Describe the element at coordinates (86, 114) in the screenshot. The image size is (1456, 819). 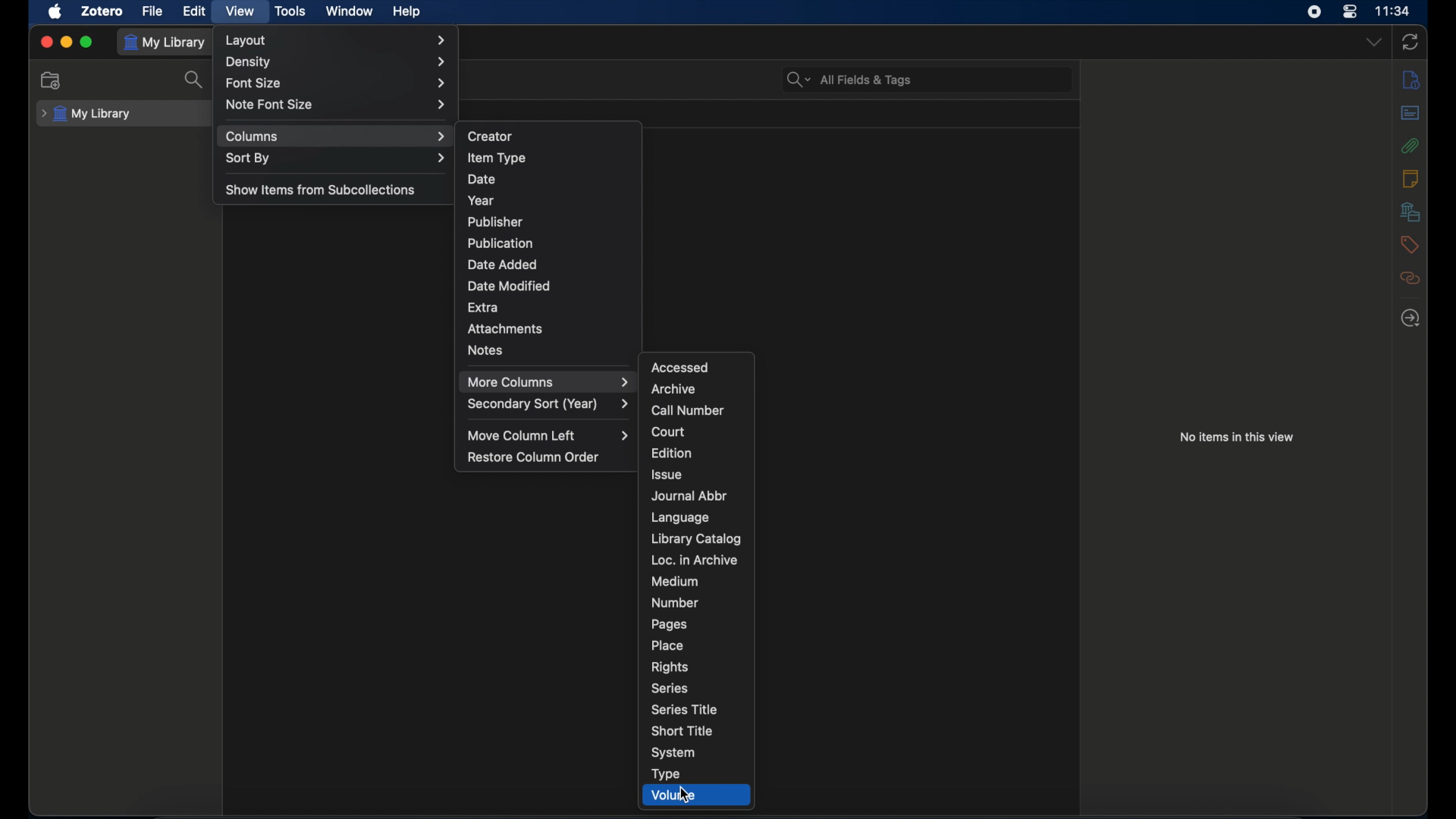
I see `my library` at that location.